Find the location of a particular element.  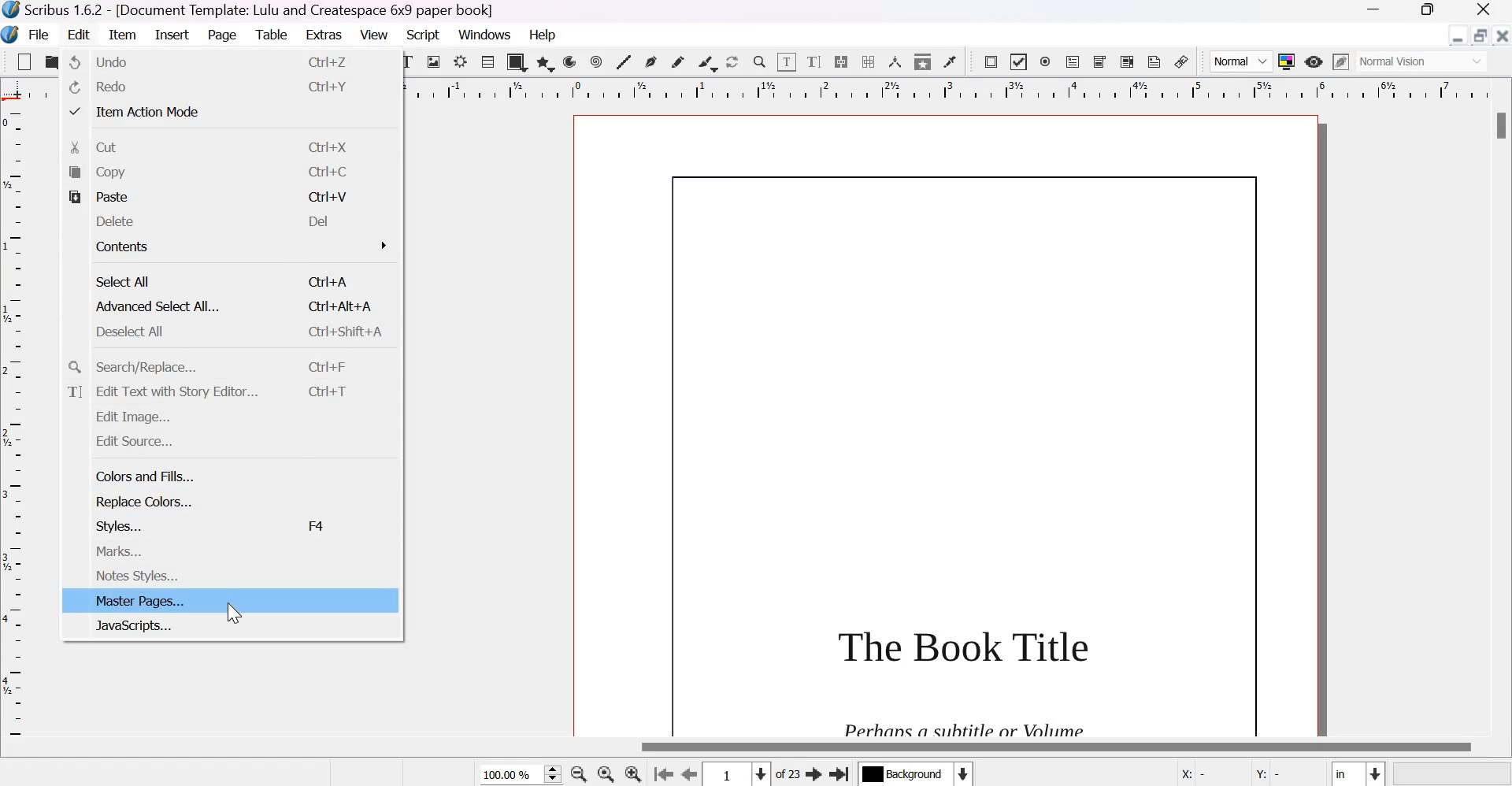

Script is located at coordinates (423, 34).